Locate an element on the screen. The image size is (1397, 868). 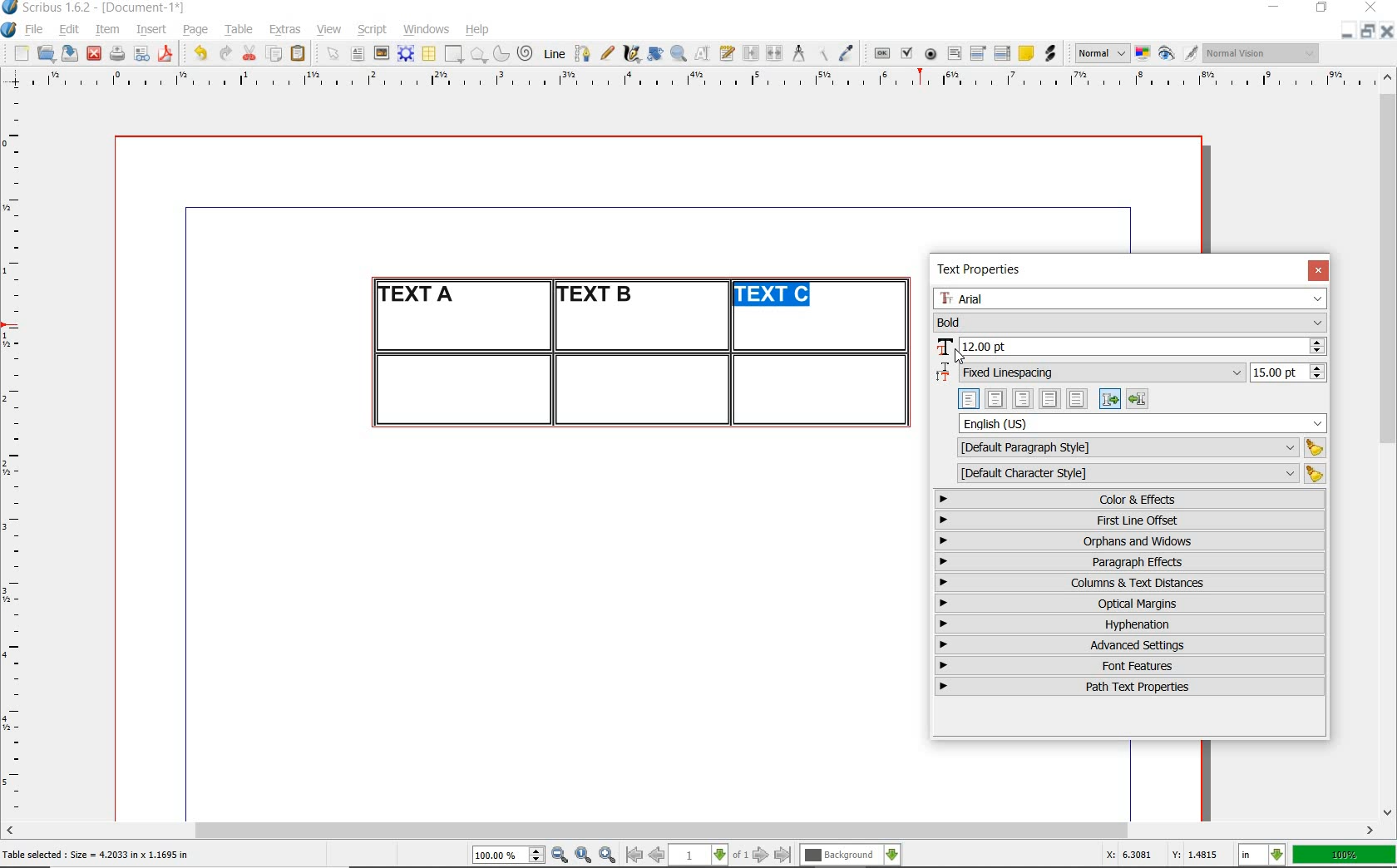
close is located at coordinates (1387, 31).